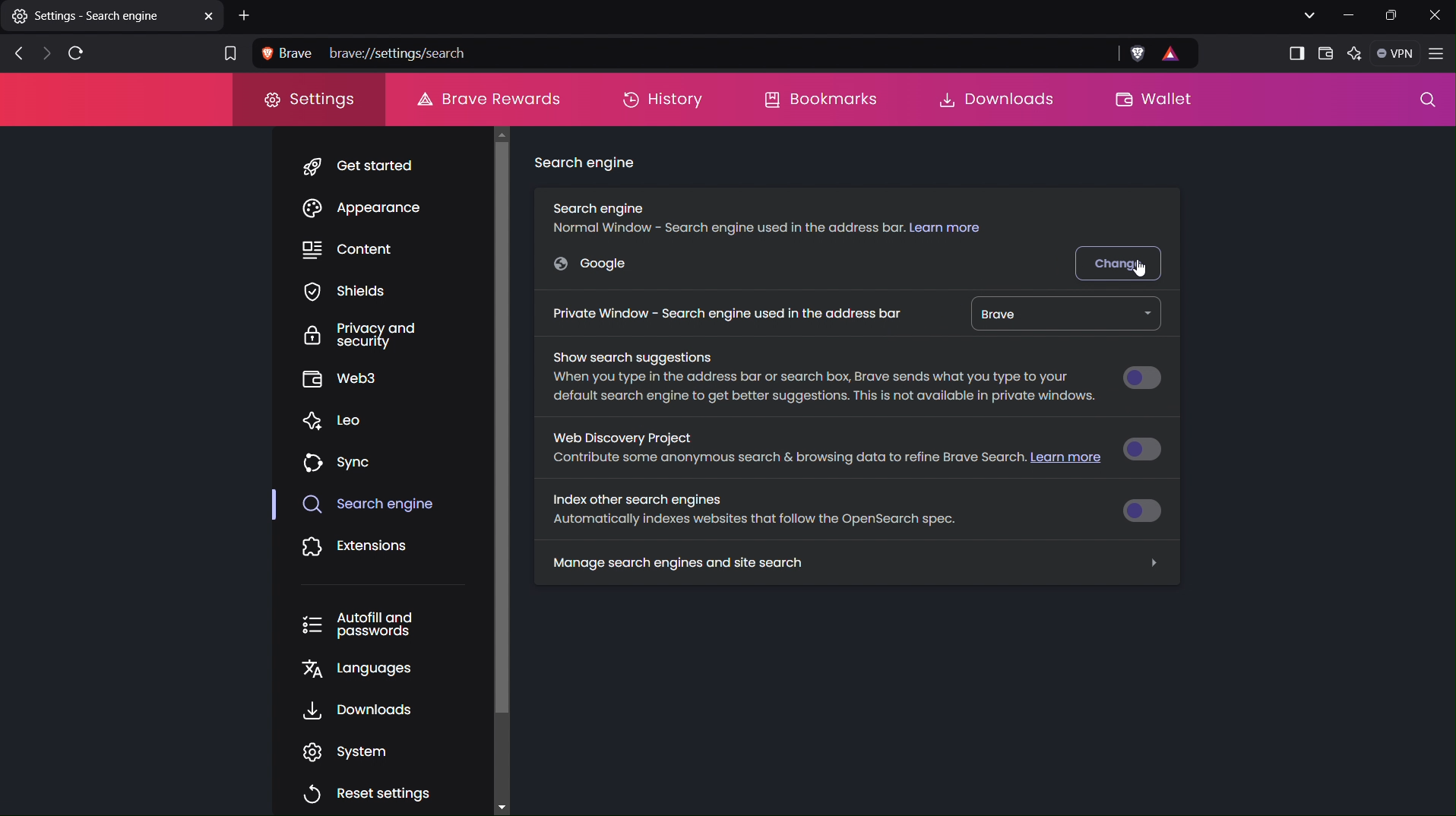 The height and width of the screenshot is (816, 1456). Describe the element at coordinates (755, 511) in the screenshot. I see `Index other search engines` at that location.